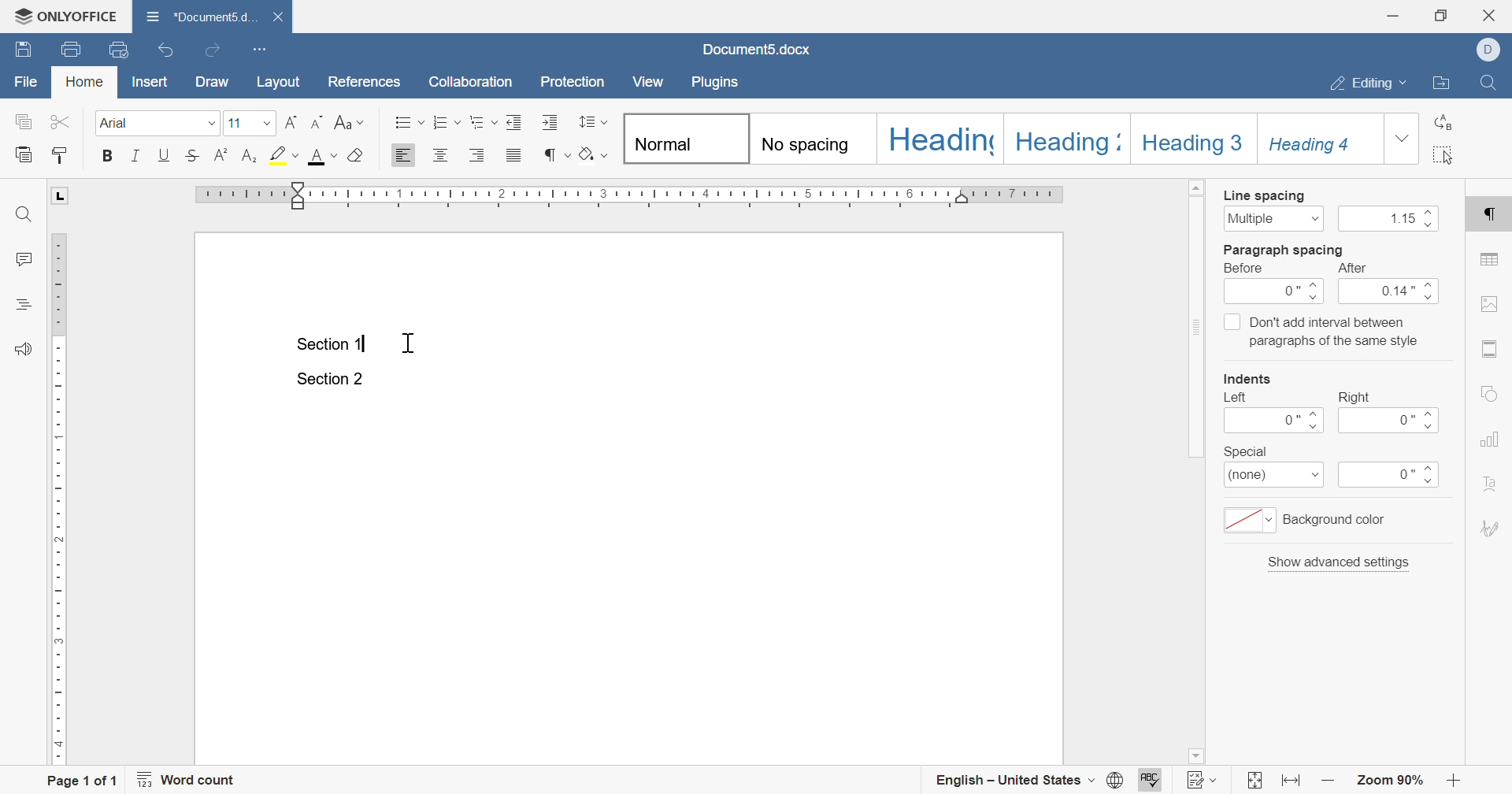 The width and height of the screenshot is (1512, 794). I want to click on change case, so click(349, 121).